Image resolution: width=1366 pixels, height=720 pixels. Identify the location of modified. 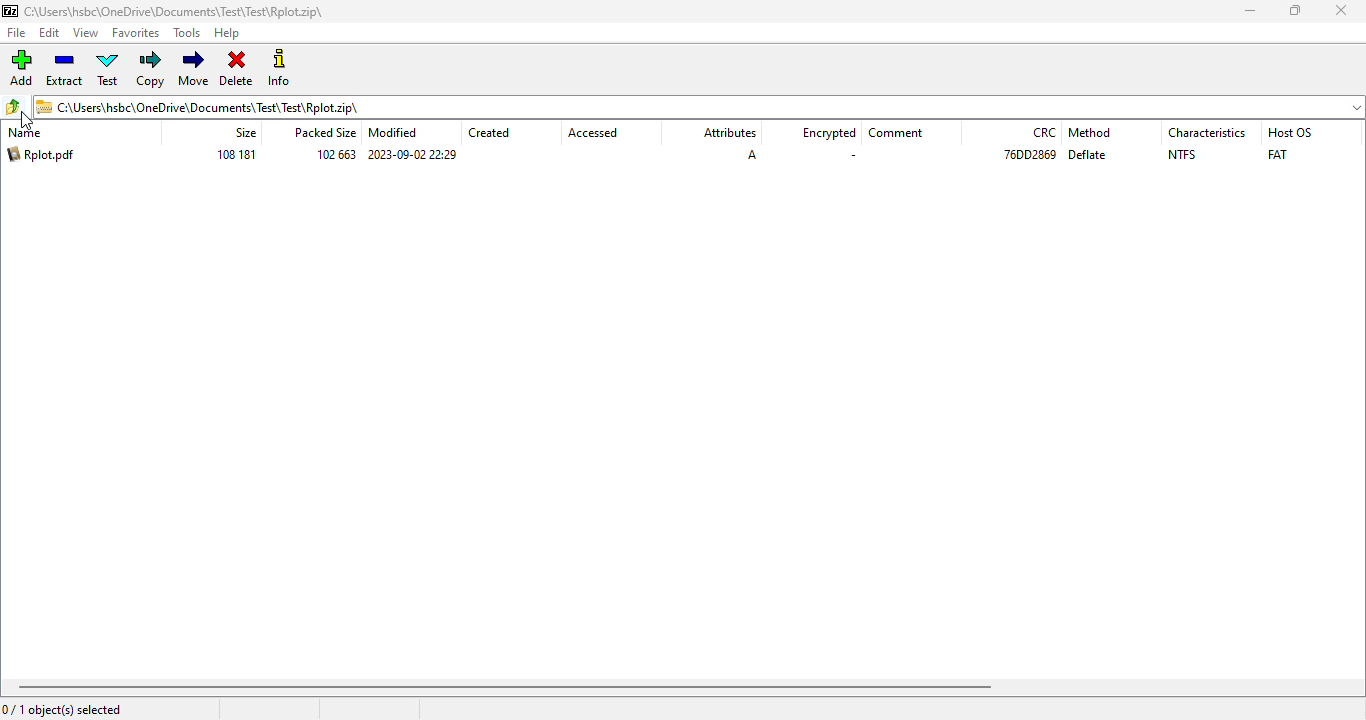
(393, 133).